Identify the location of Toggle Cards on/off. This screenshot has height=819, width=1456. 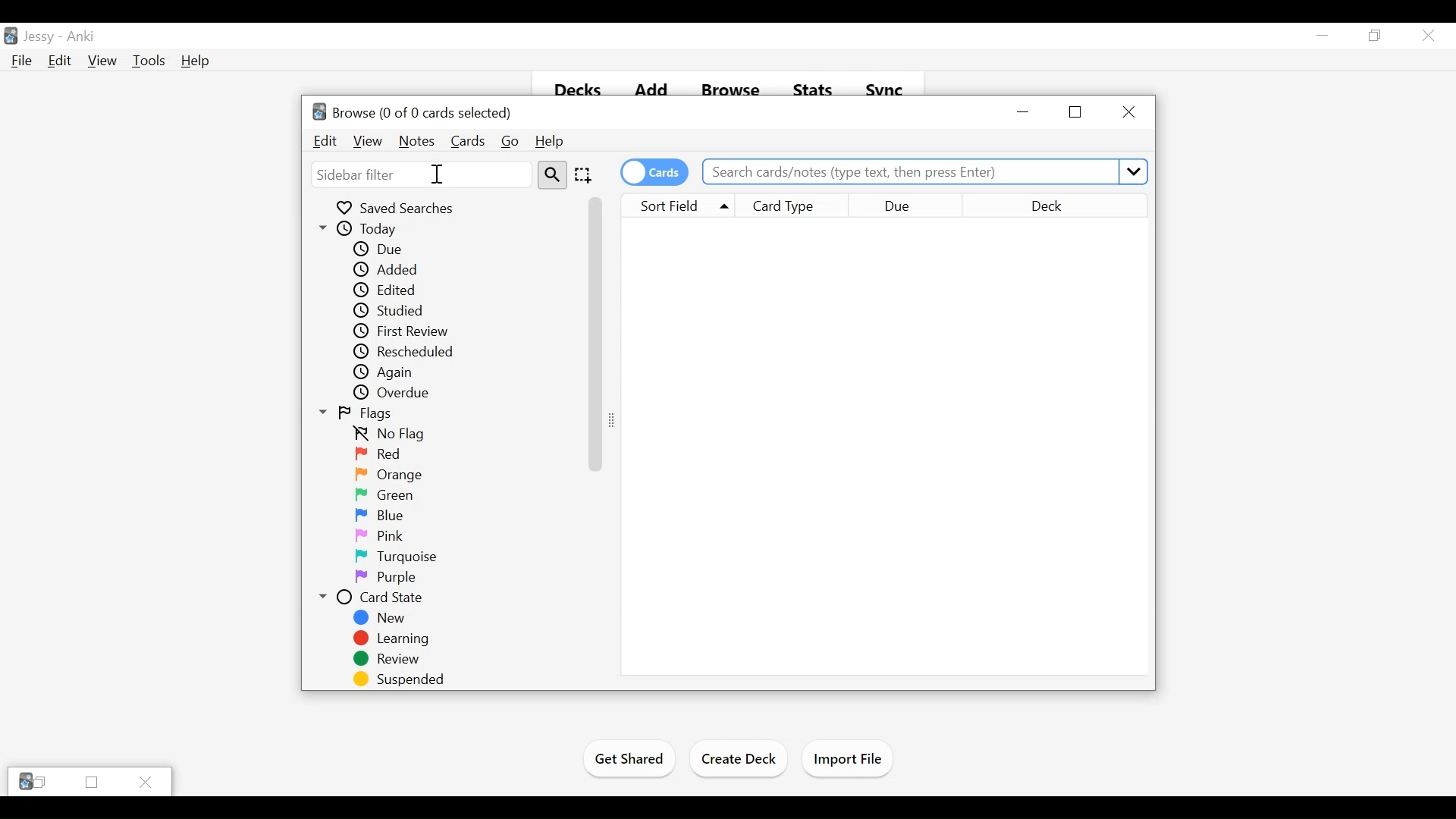
(654, 172).